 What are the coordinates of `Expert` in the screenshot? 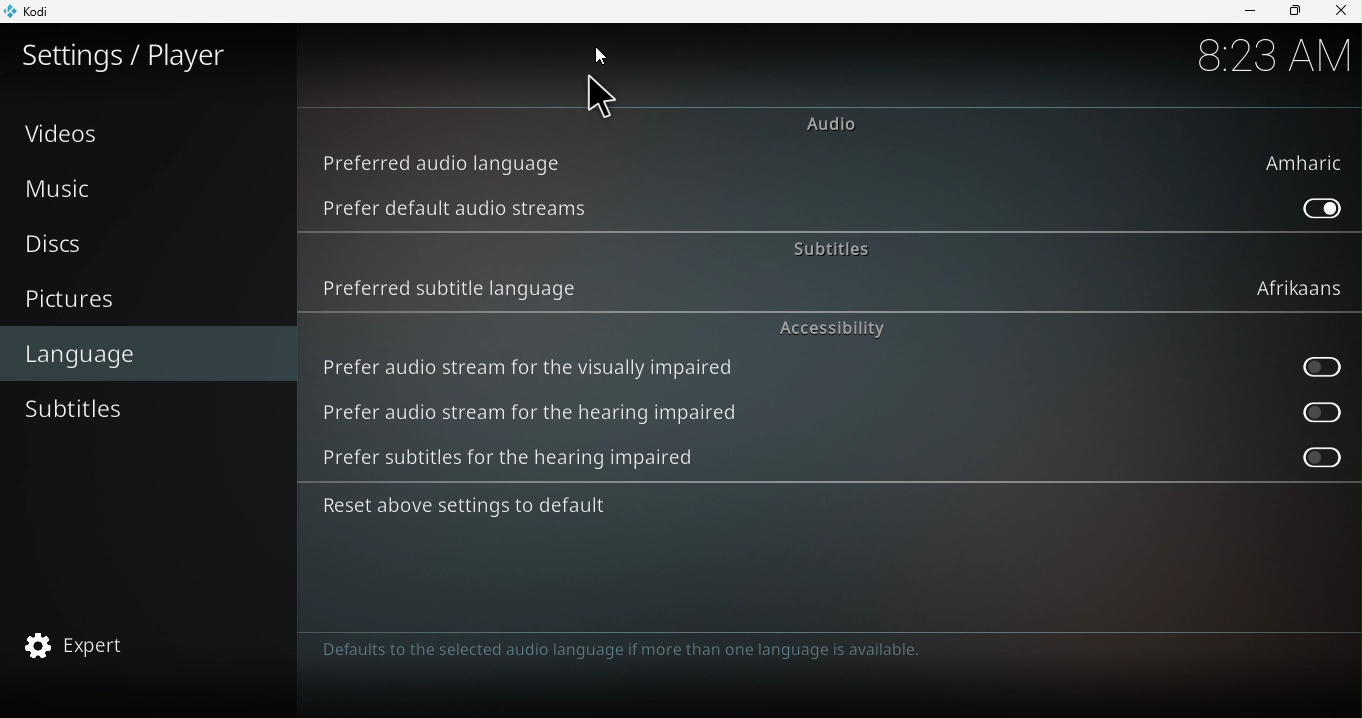 It's located at (142, 647).